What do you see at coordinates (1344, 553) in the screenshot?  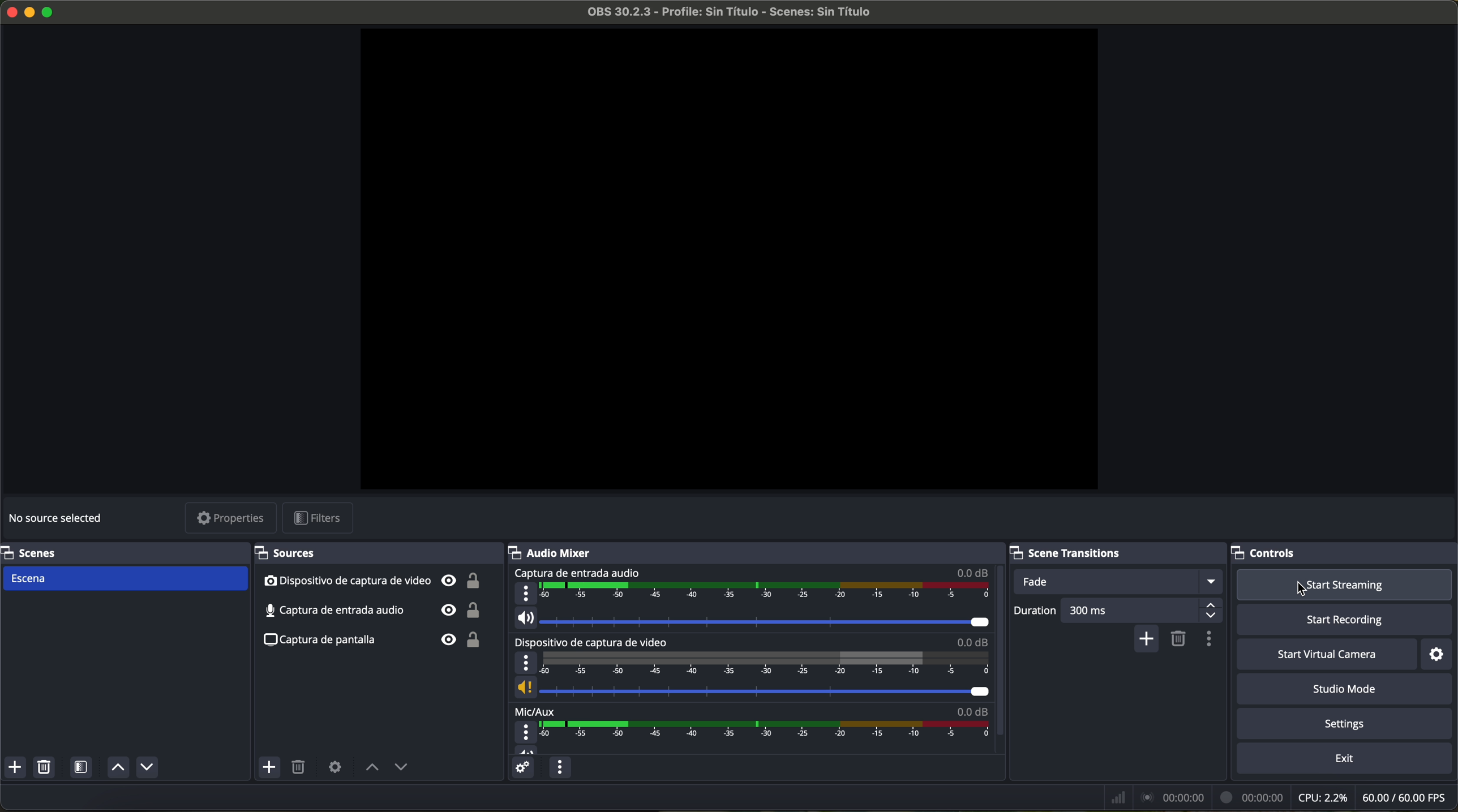 I see `controls` at bounding box center [1344, 553].